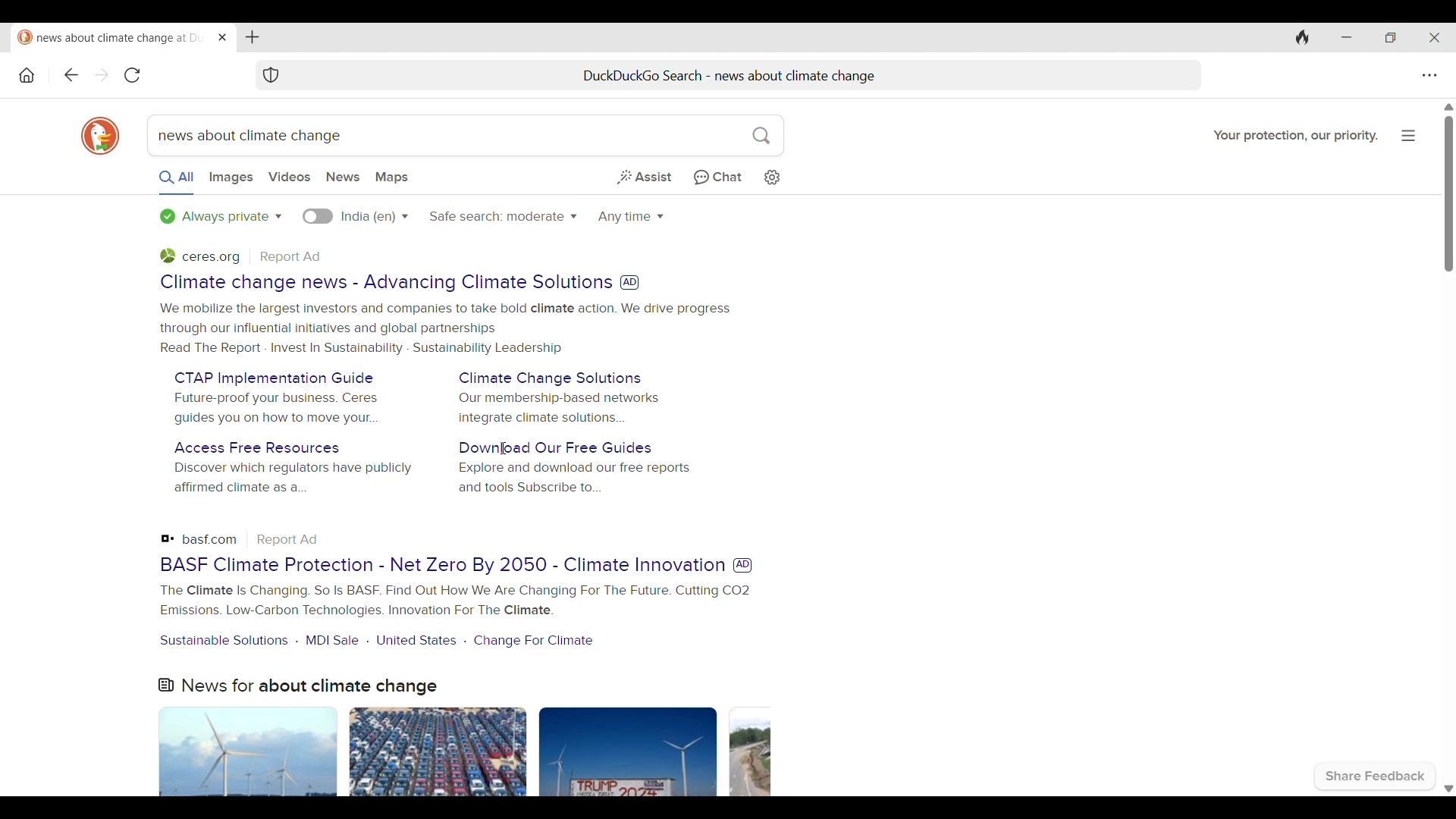 The image size is (1456, 819). Describe the element at coordinates (643, 178) in the screenshot. I see `Generate a short answer from the web` at that location.